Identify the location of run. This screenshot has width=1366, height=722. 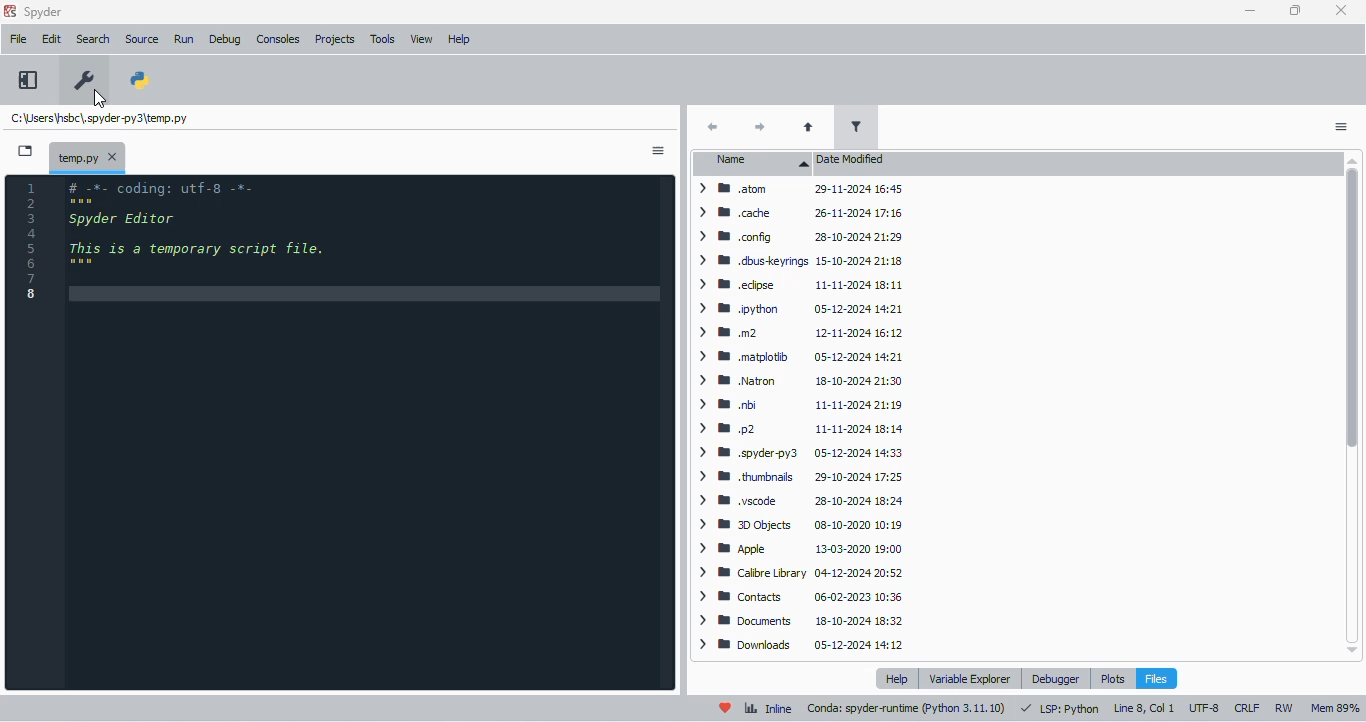
(184, 40).